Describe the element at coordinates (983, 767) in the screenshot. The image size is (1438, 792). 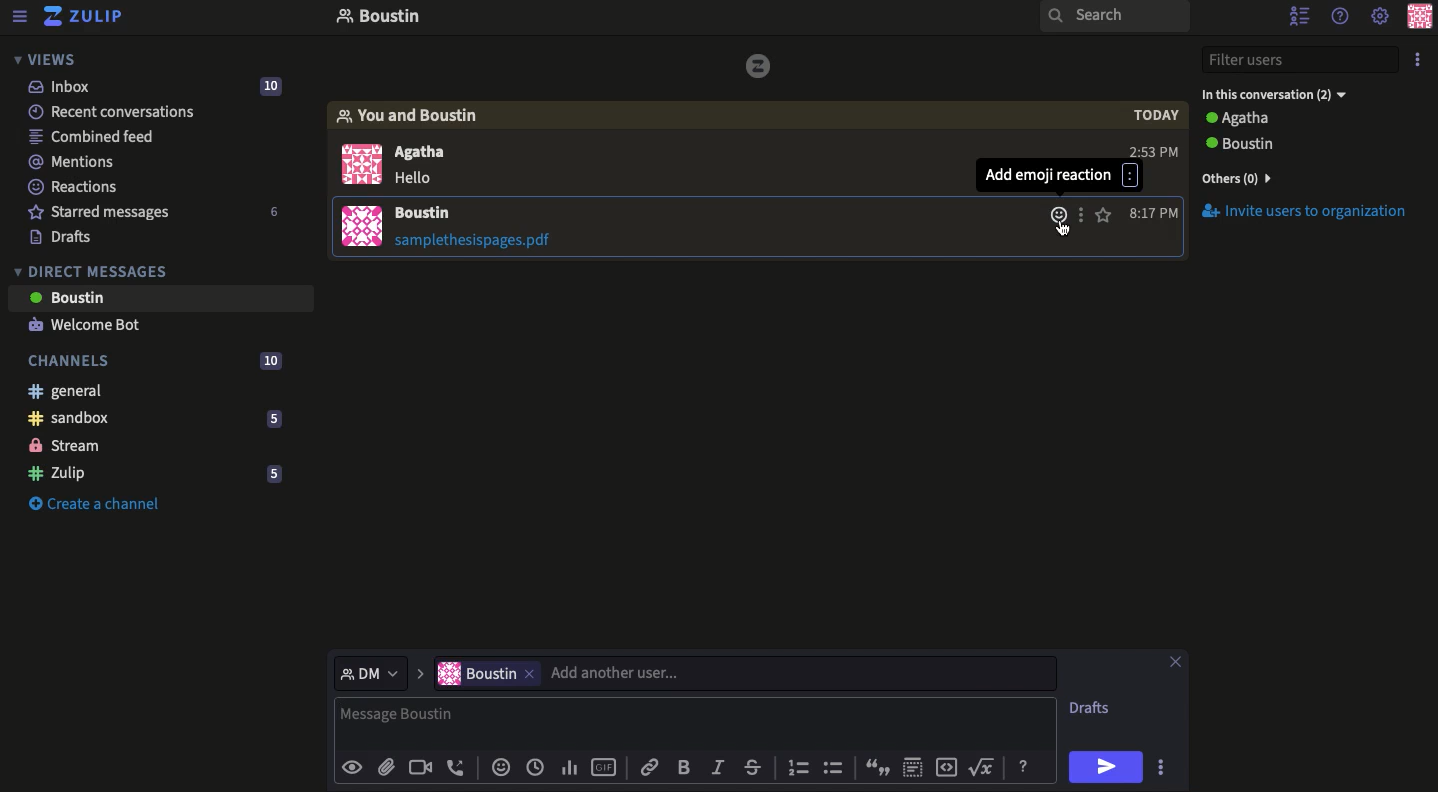
I see `Root` at that location.